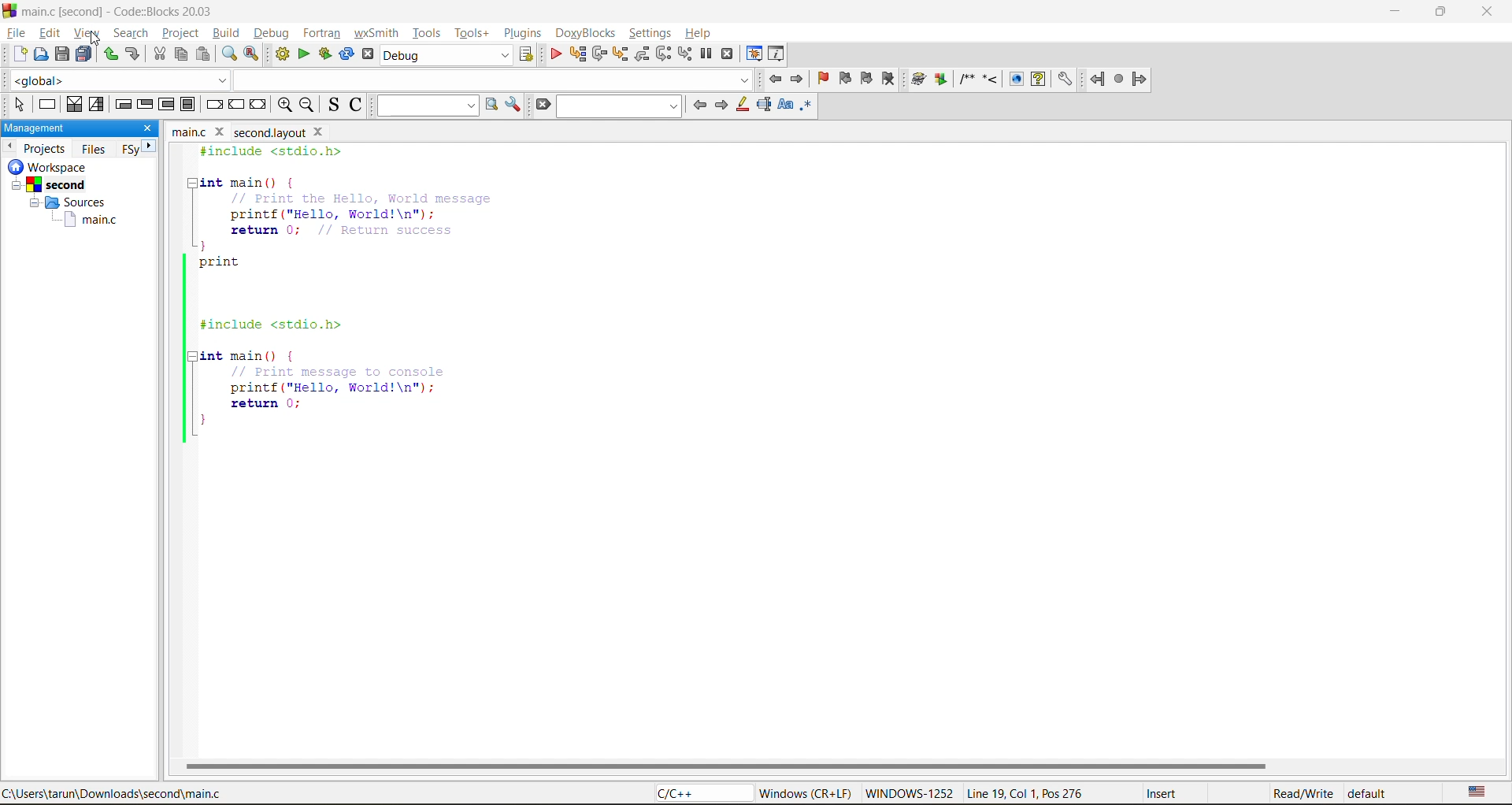 This screenshot has height=805, width=1512. Describe the element at coordinates (556, 54) in the screenshot. I see `debug` at that location.